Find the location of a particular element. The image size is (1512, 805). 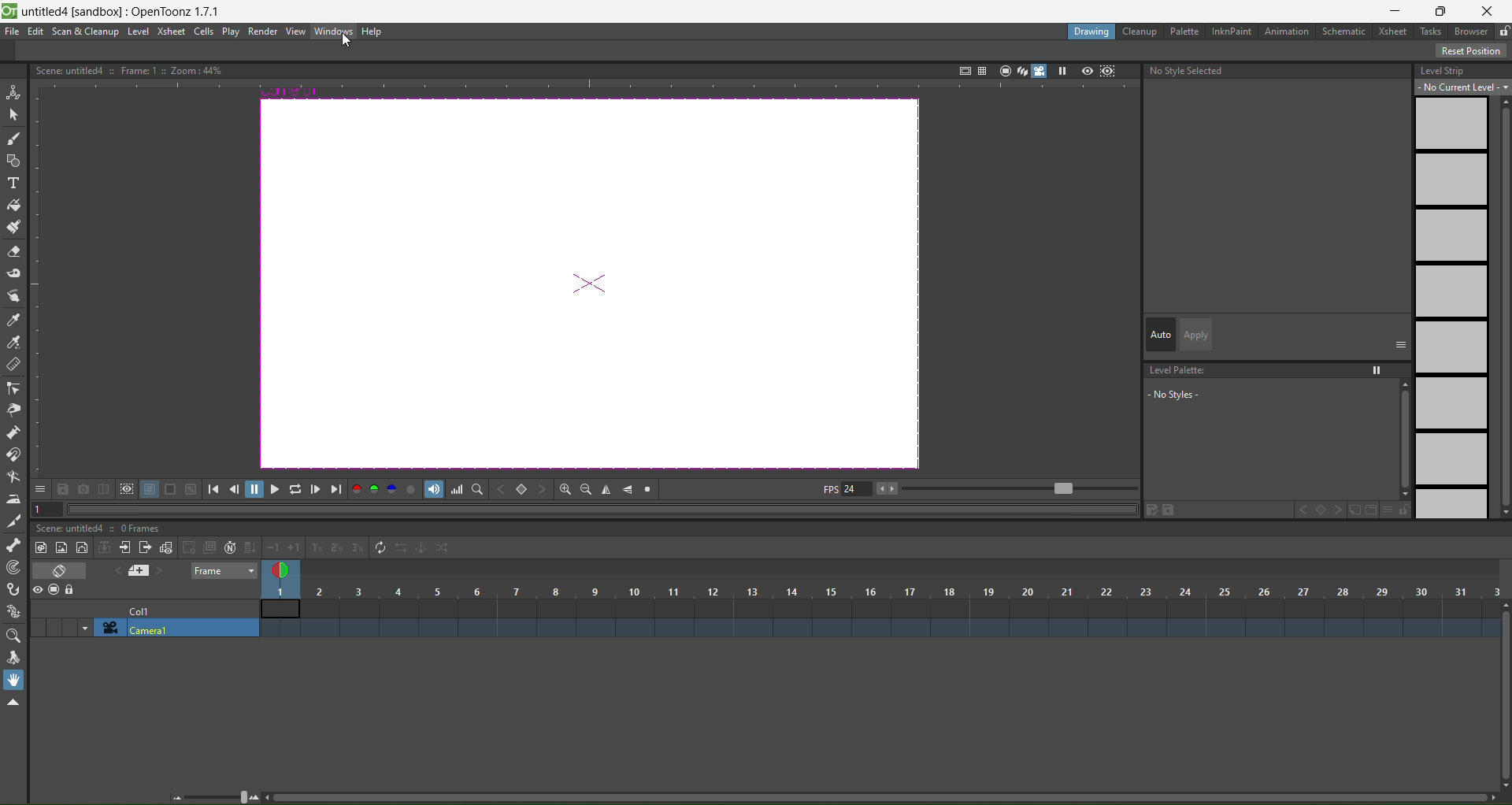

scroll bar is located at coordinates (1503, 696).